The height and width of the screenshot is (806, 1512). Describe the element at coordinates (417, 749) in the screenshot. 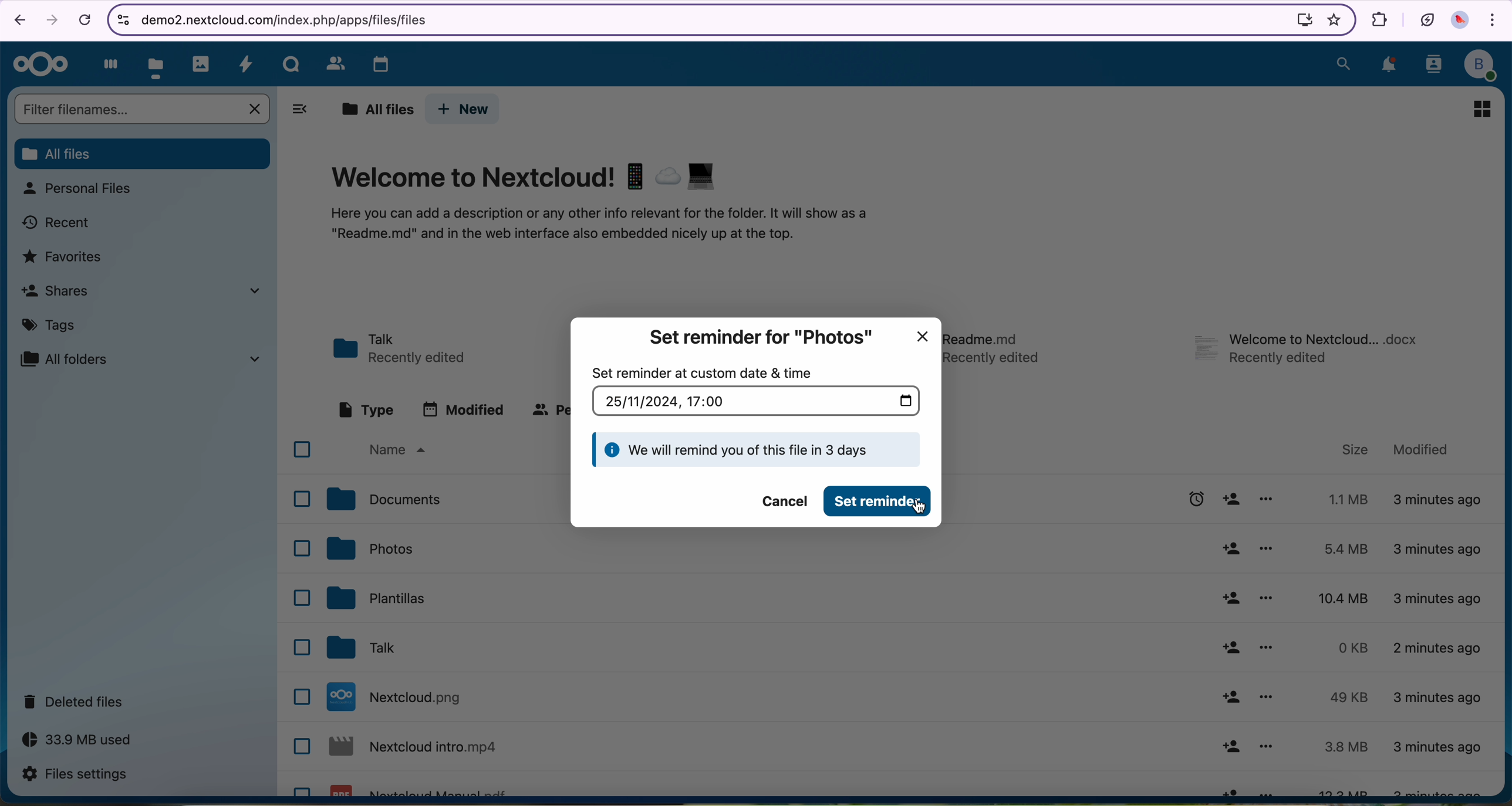

I see `Nextcloud file` at that location.